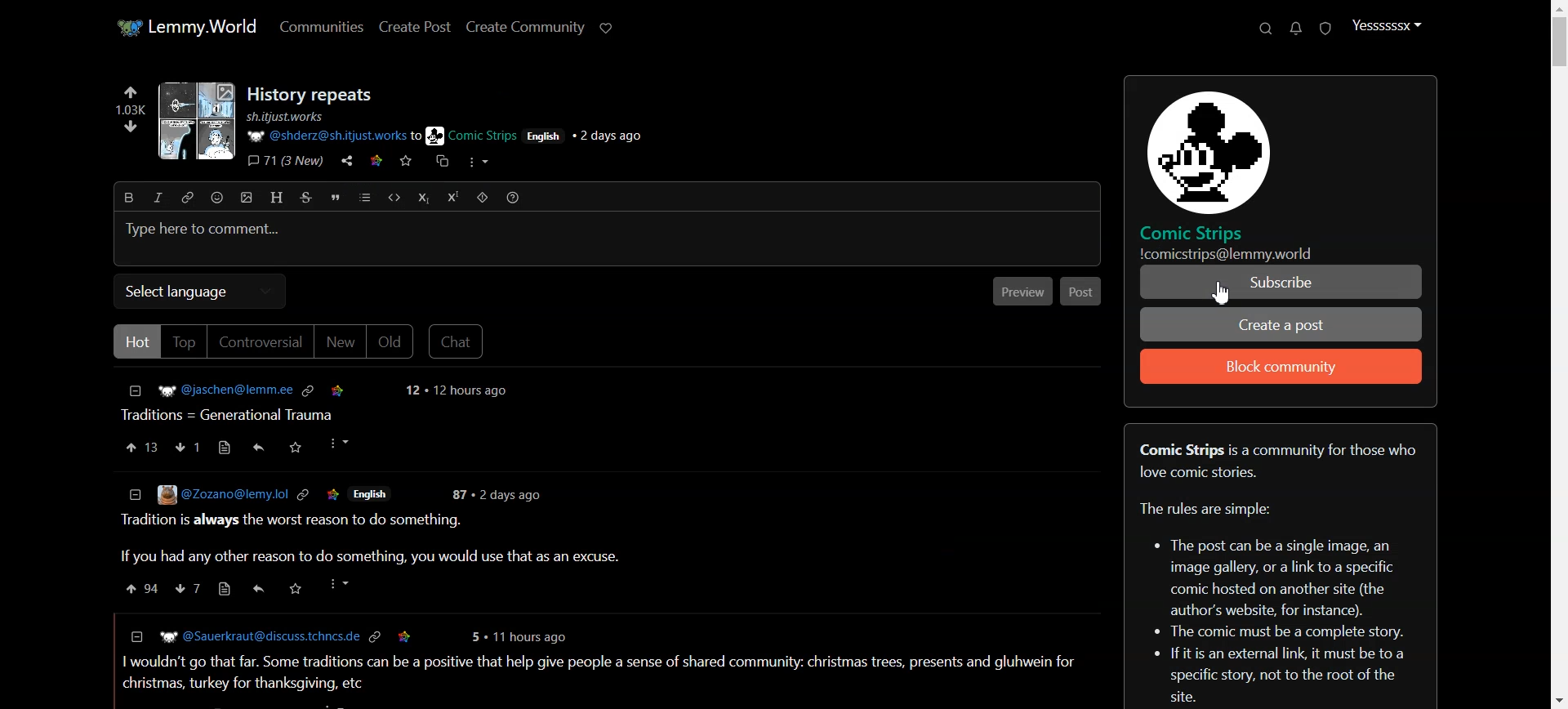 Image resolution: width=1568 pixels, height=709 pixels. What do you see at coordinates (293, 522) in the screenshot?
I see `Tradition is always the worst reason to do something.` at bounding box center [293, 522].